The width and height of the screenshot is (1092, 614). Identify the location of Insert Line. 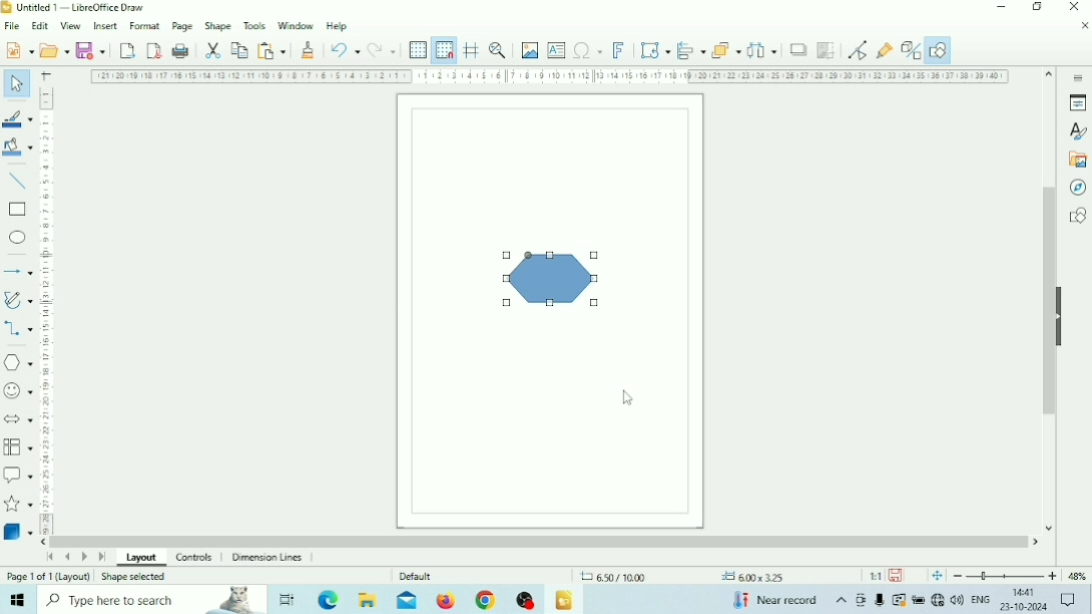
(18, 182).